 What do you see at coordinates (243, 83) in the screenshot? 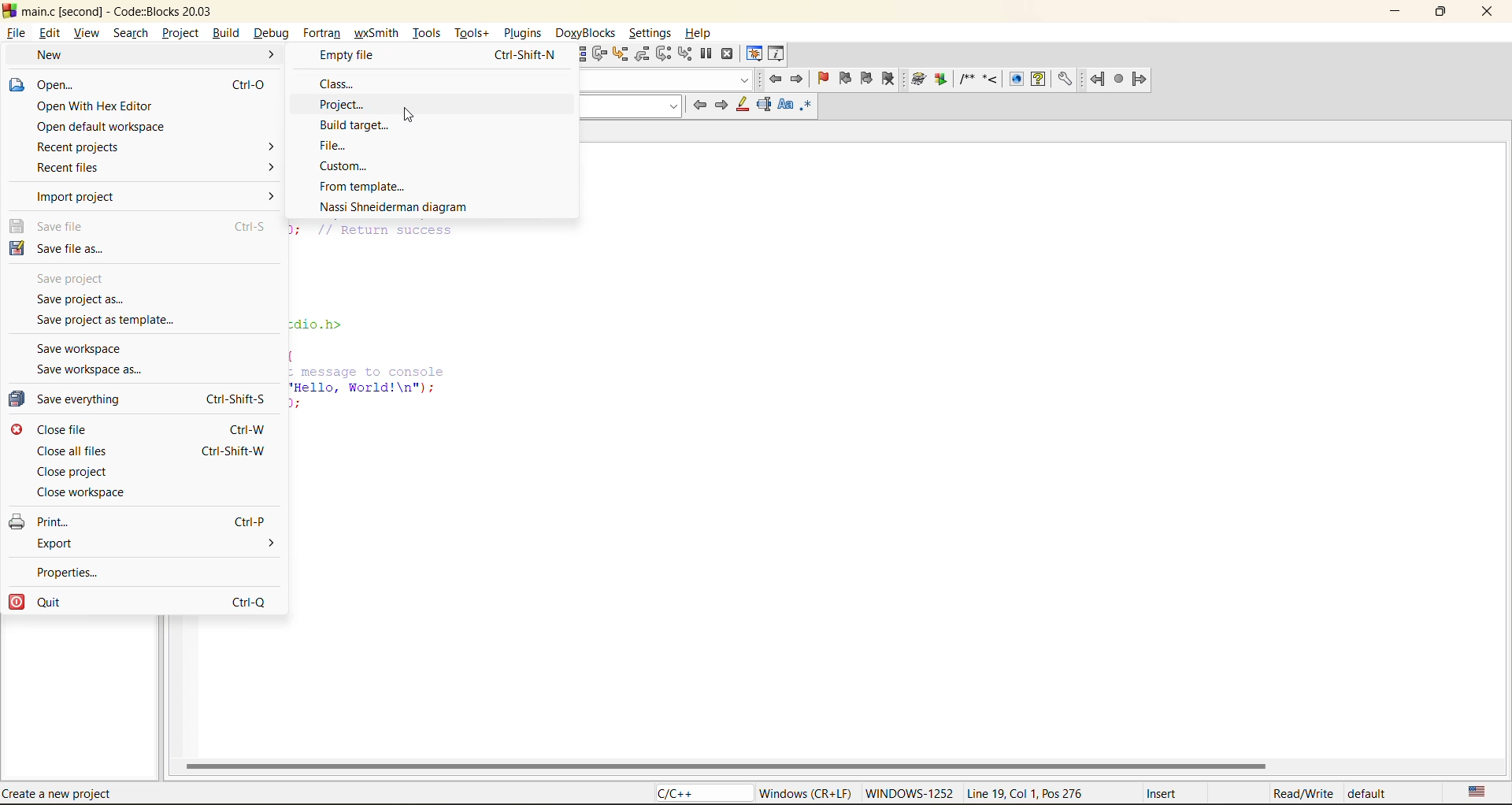
I see `Ctr-O` at bounding box center [243, 83].